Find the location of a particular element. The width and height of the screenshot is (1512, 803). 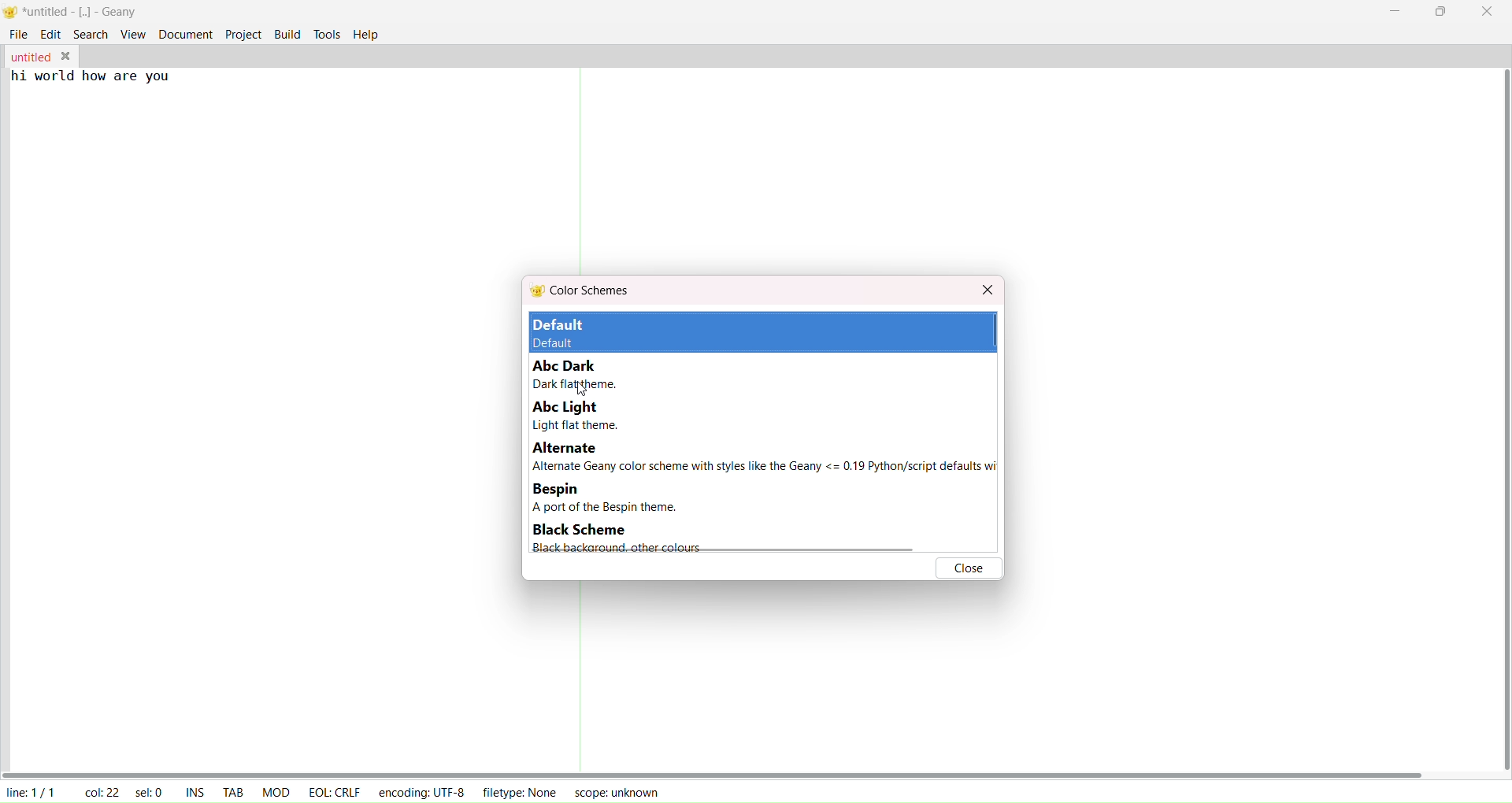

tab name is located at coordinates (29, 56).